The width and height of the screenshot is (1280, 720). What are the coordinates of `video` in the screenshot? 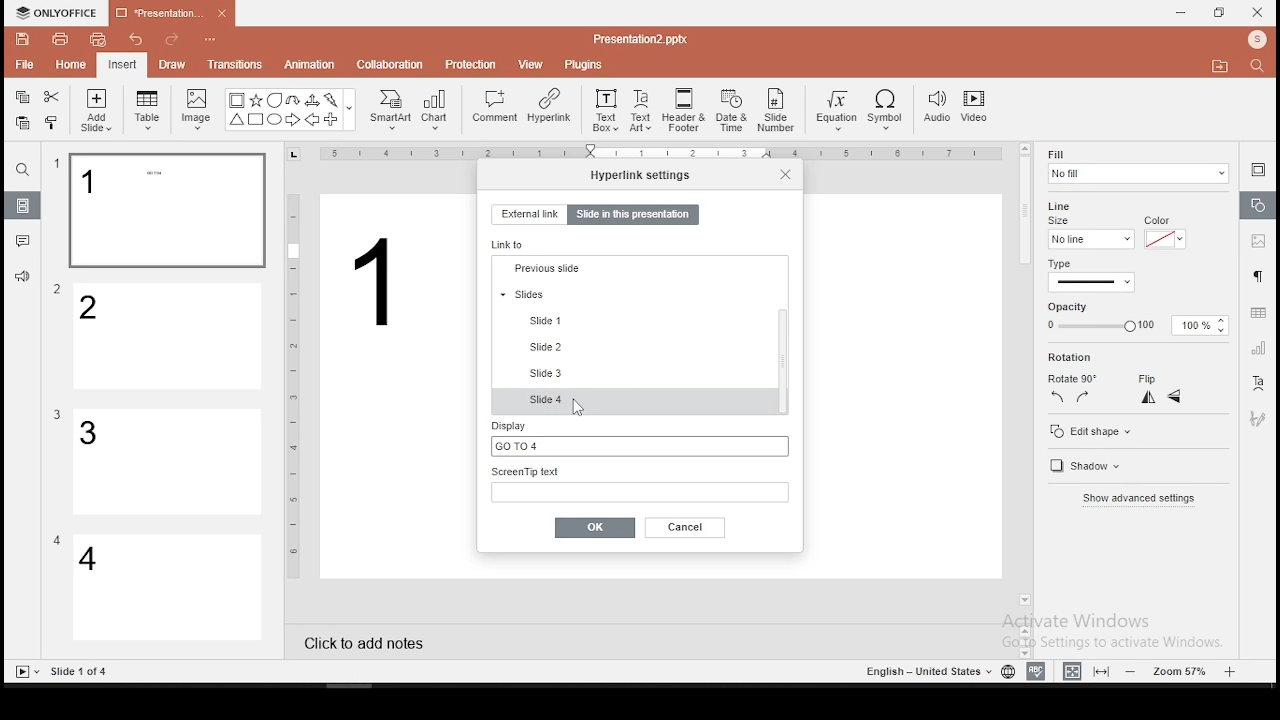 It's located at (974, 109).